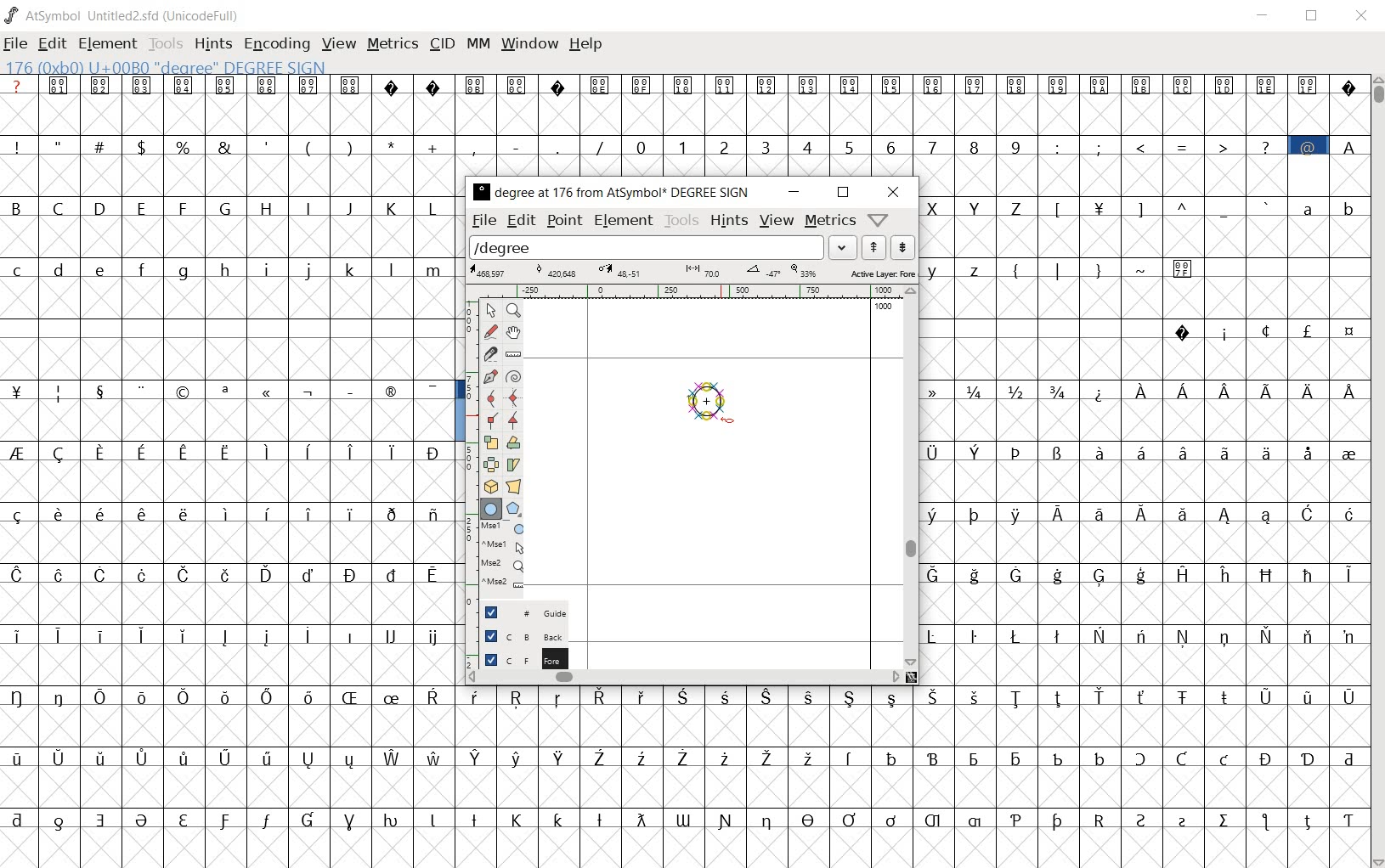 Image resolution: width=1385 pixels, height=868 pixels. Describe the element at coordinates (729, 221) in the screenshot. I see `hints` at that location.